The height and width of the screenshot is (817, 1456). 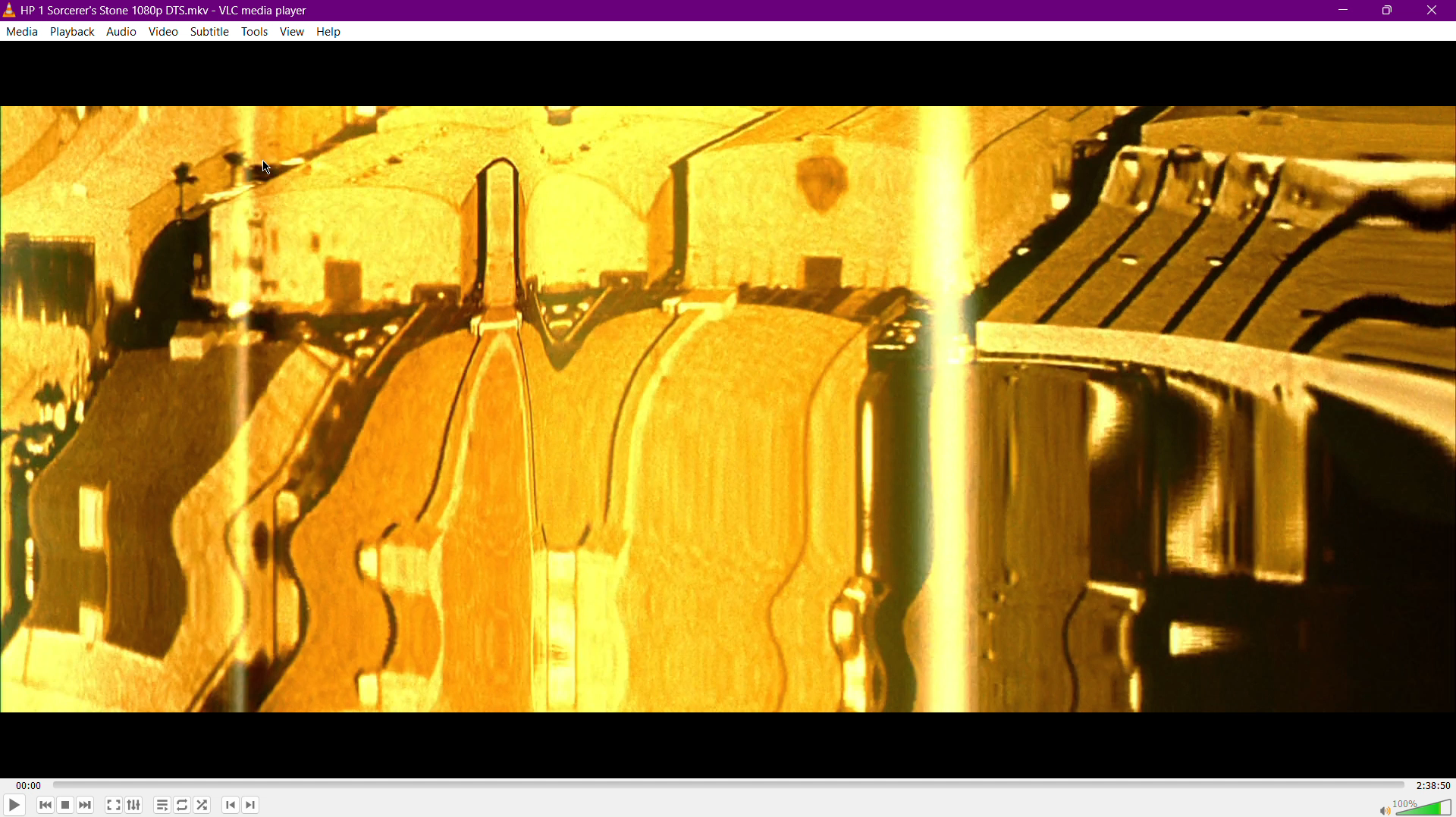 I want to click on 2:38:50, so click(x=1429, y=784).